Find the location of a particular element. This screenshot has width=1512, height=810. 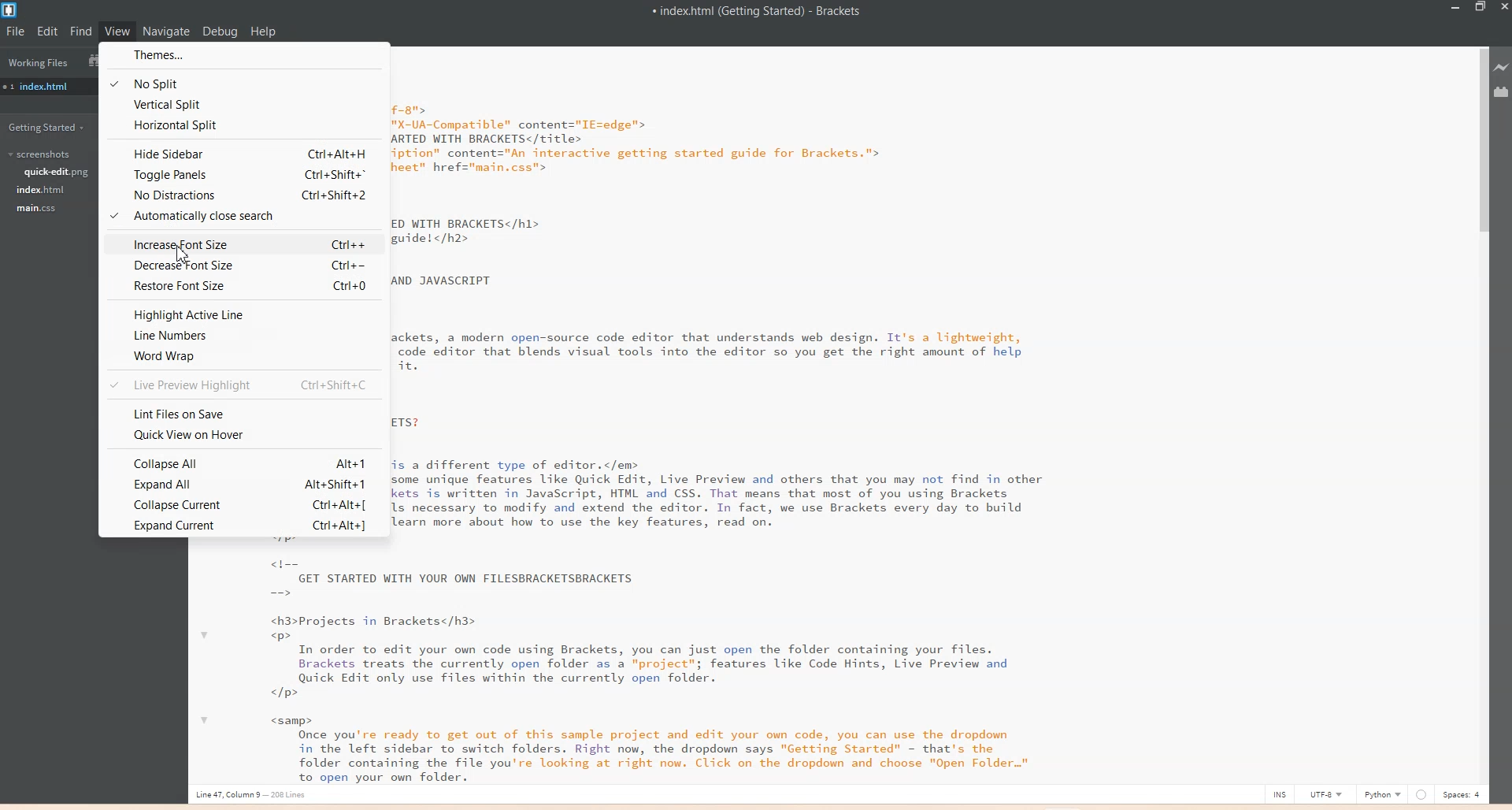

Automatically close Search is located at coordinates (243, 217).